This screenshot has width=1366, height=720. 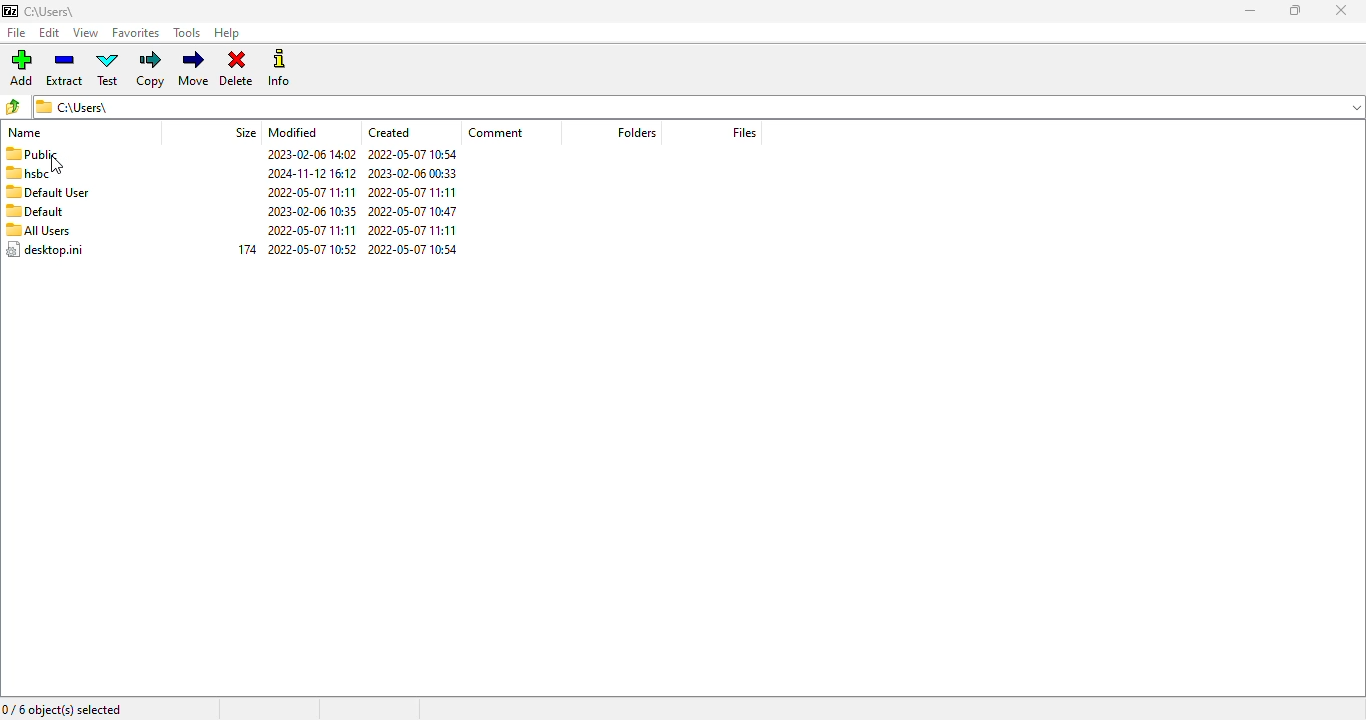 I want to click on favorites, so click(x=136, y=34).